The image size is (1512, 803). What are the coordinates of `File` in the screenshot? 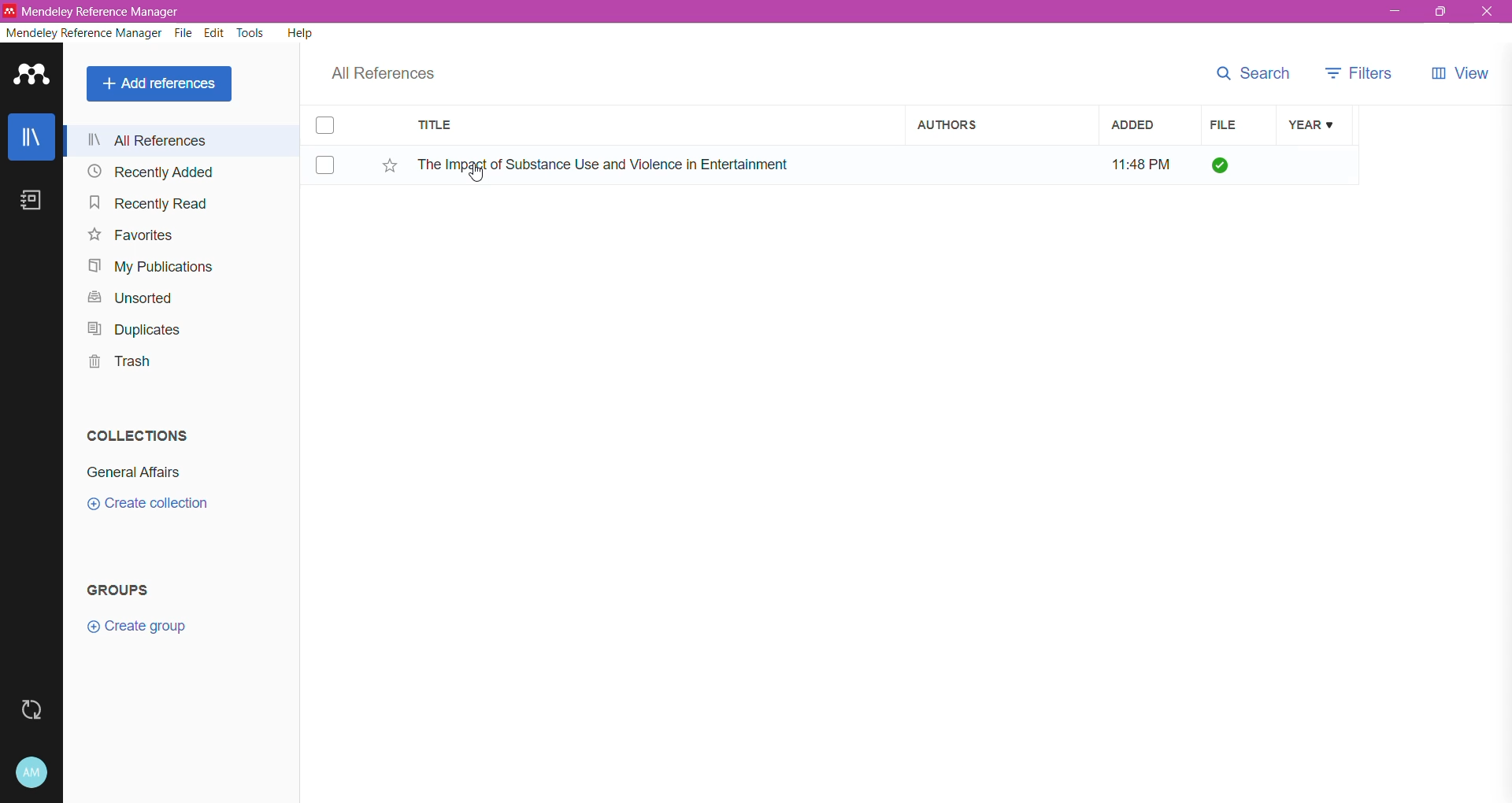 It's located at (1235, 126).